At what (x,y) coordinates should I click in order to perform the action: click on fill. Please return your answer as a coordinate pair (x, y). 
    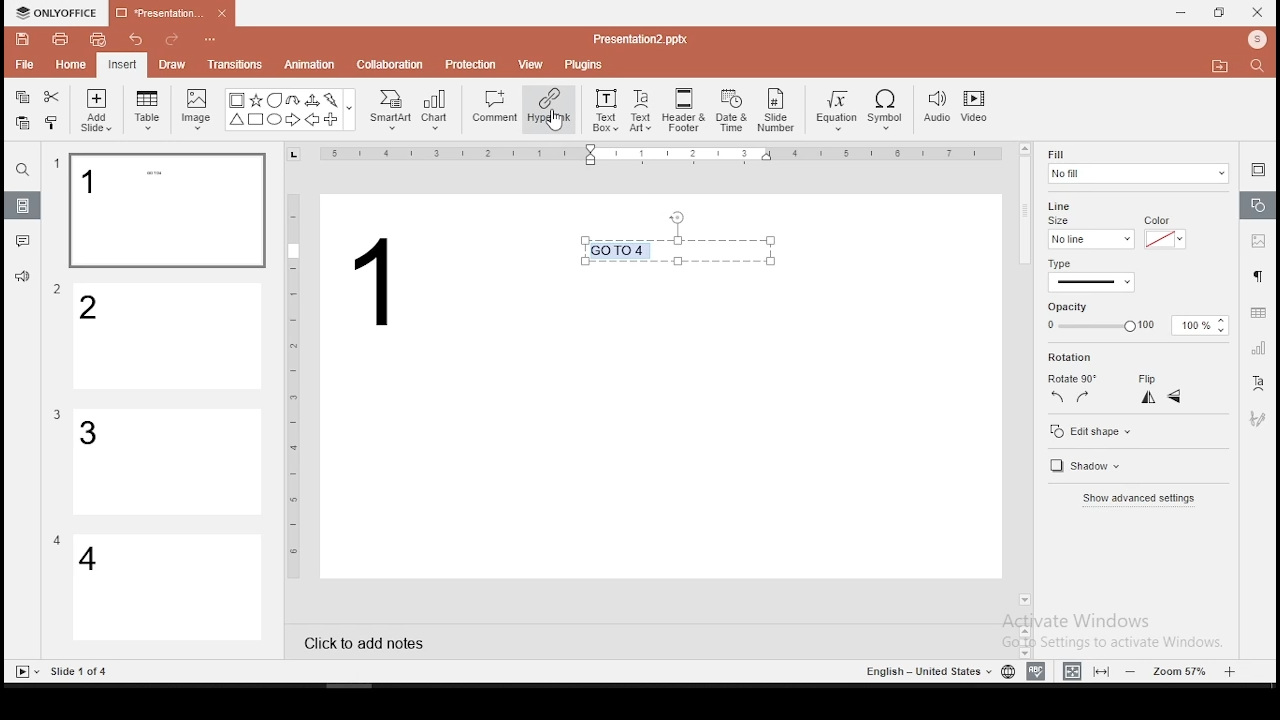
    Looking at the image, I should click on (1137, 166).